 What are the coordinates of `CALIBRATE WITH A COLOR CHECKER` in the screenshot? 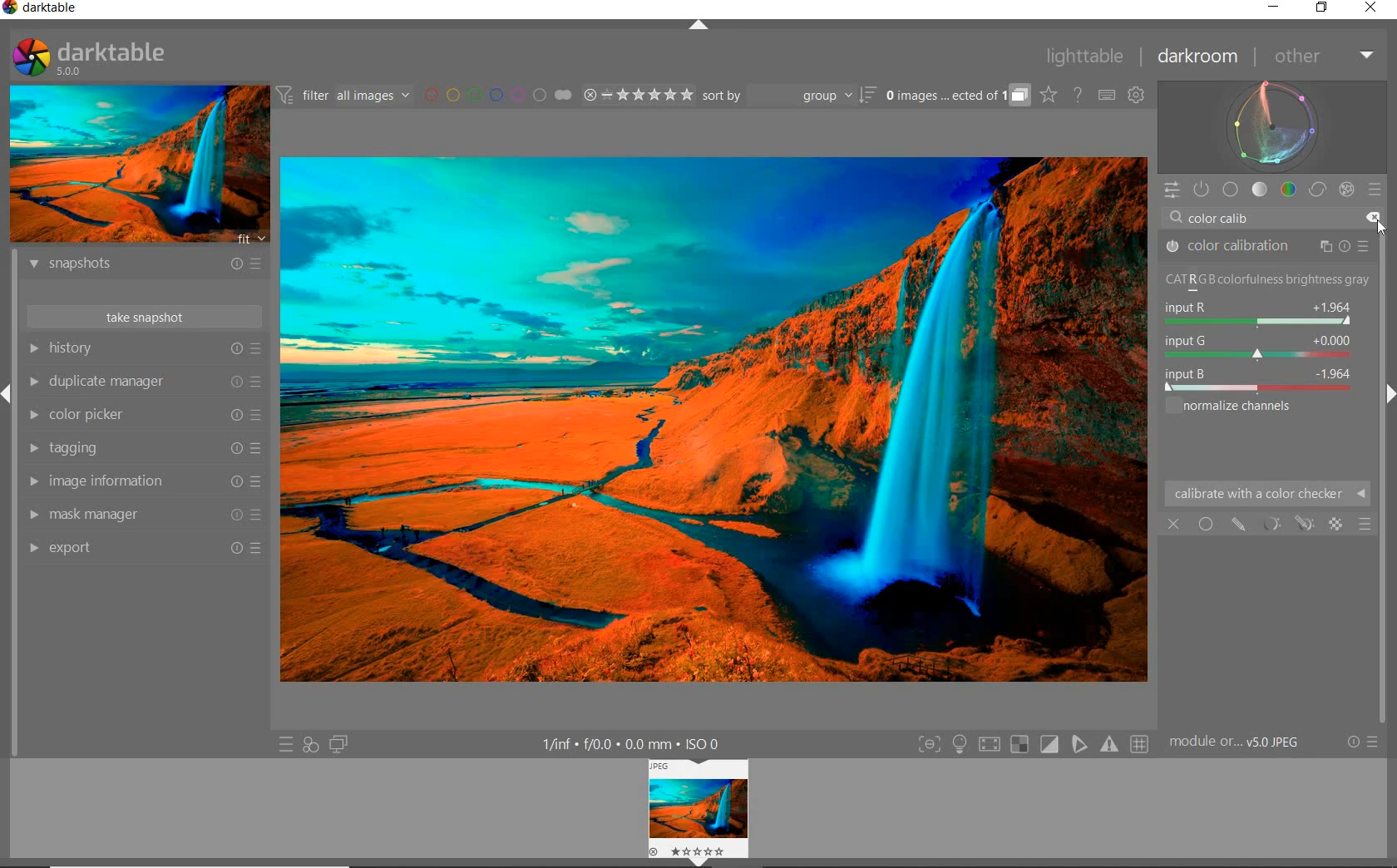 It's located at (1267, 493).